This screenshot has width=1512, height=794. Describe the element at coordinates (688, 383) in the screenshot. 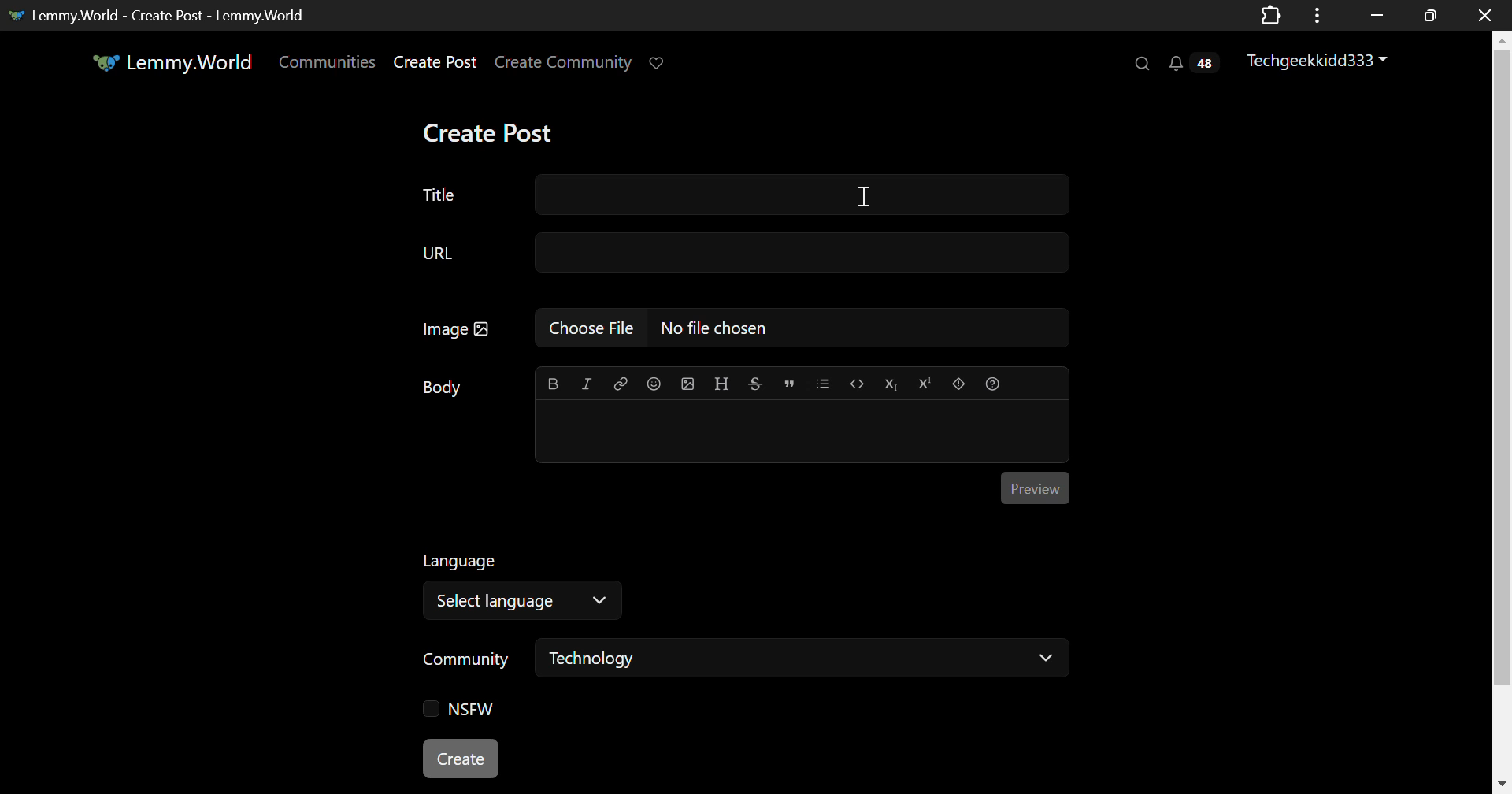

I see `upload image` at that location.